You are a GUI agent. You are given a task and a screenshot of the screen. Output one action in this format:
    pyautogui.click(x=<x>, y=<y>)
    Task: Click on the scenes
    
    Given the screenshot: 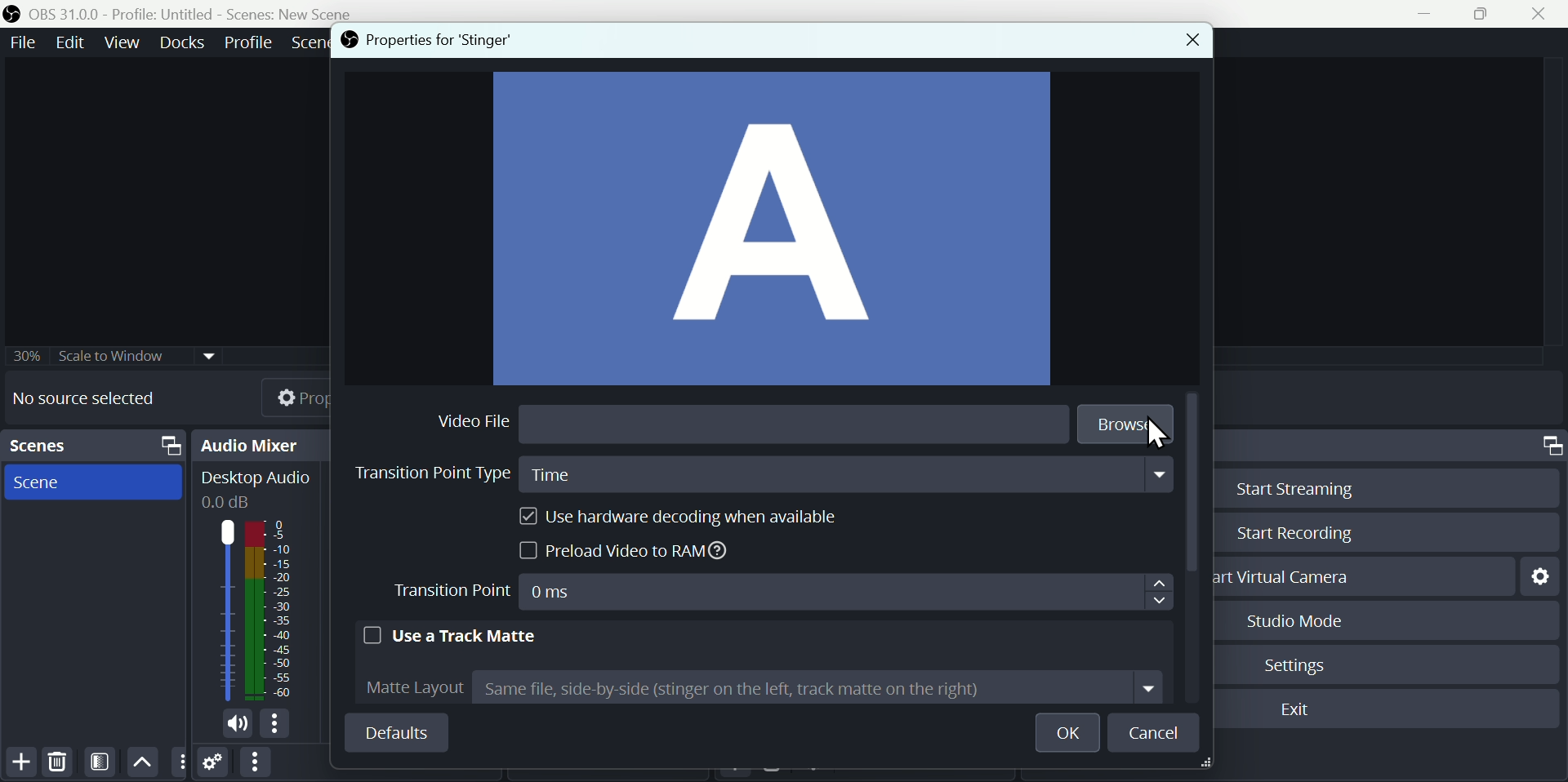 What is the action you would take?
    pyautogui.click(x=93, y=482)
    